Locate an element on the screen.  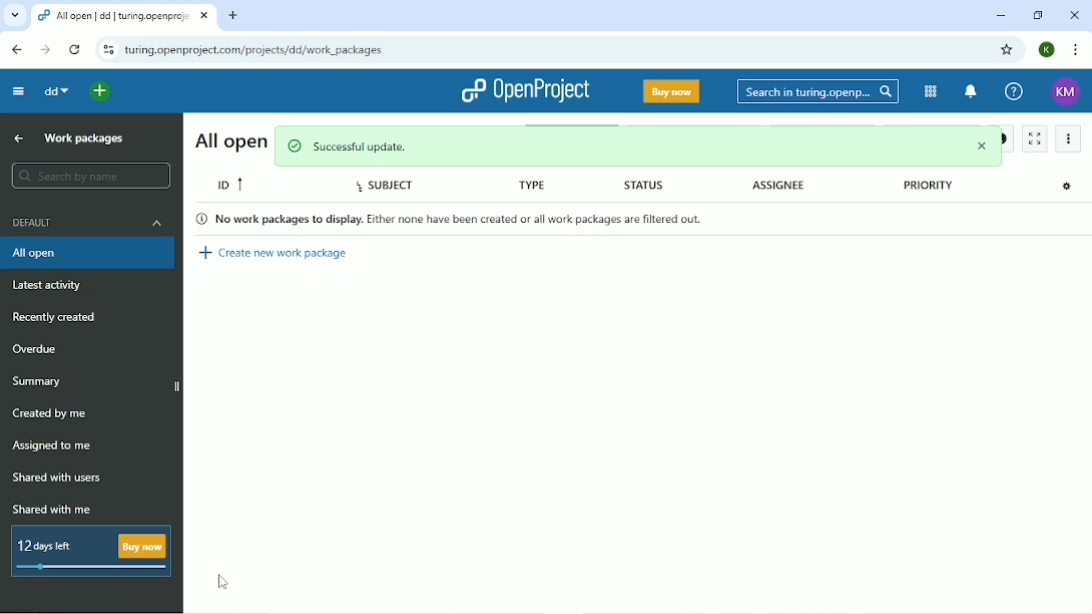
Configure view is located at coordinates (1070, 187).